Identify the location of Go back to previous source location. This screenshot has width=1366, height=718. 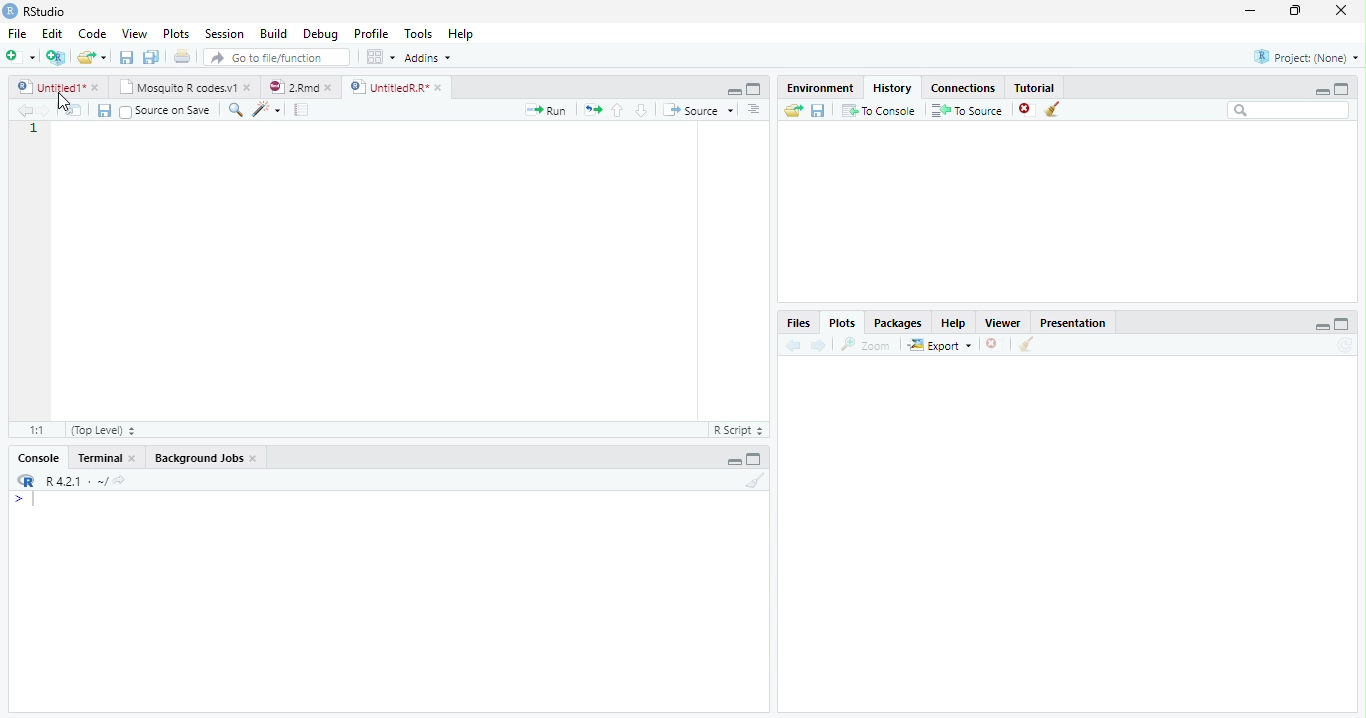
(23, 111).